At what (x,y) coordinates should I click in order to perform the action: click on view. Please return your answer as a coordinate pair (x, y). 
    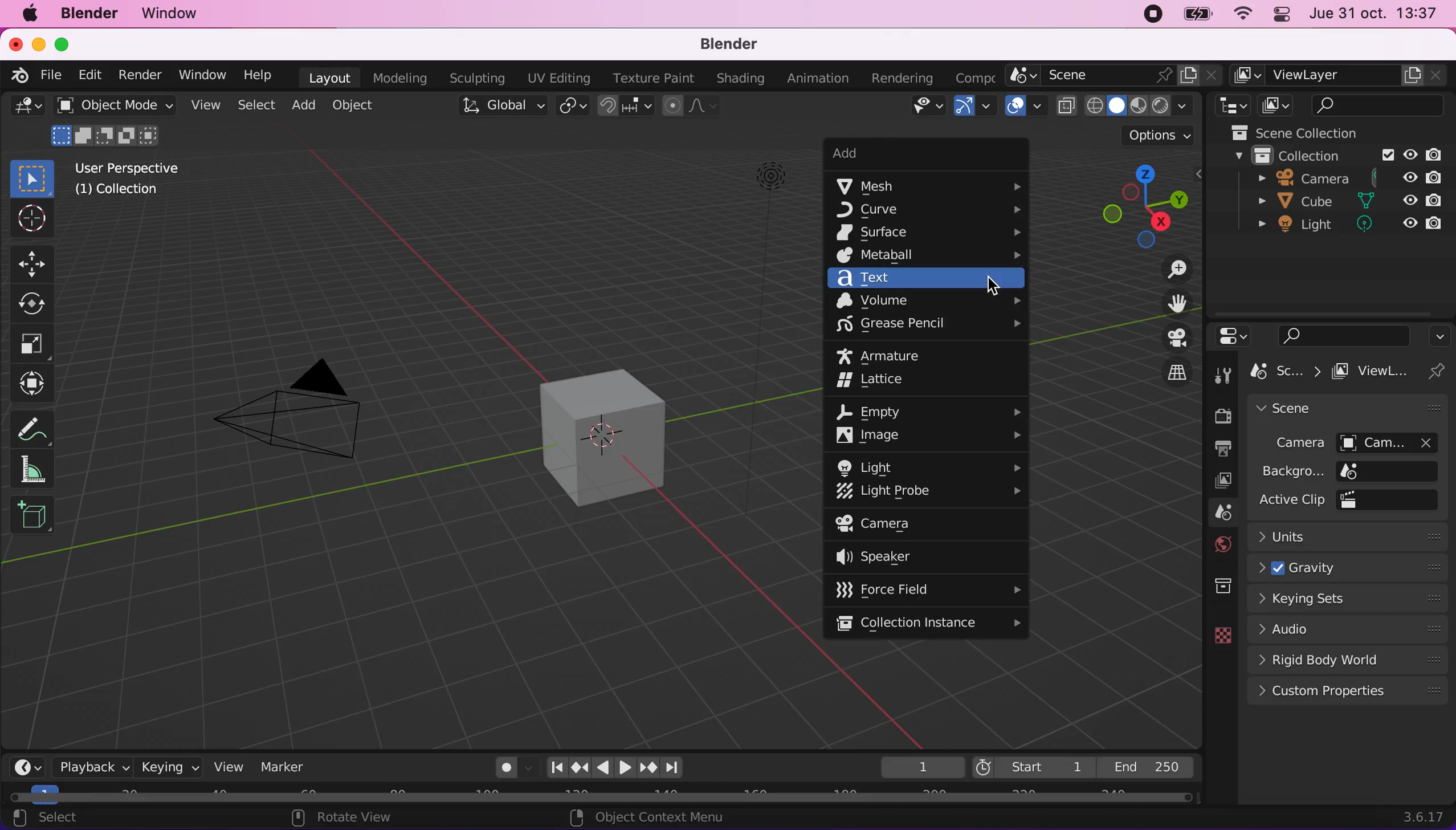
    Looking at the image, I should click on (204, 104).